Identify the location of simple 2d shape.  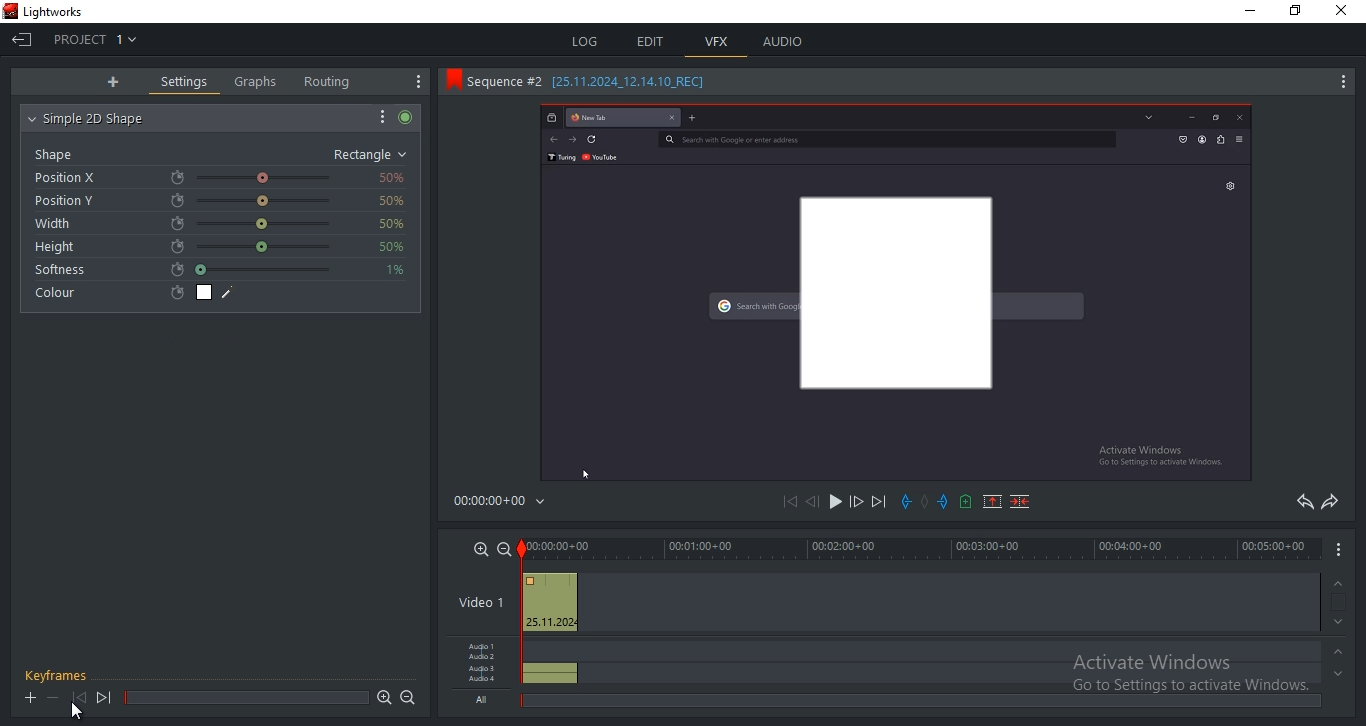
(216, 118).